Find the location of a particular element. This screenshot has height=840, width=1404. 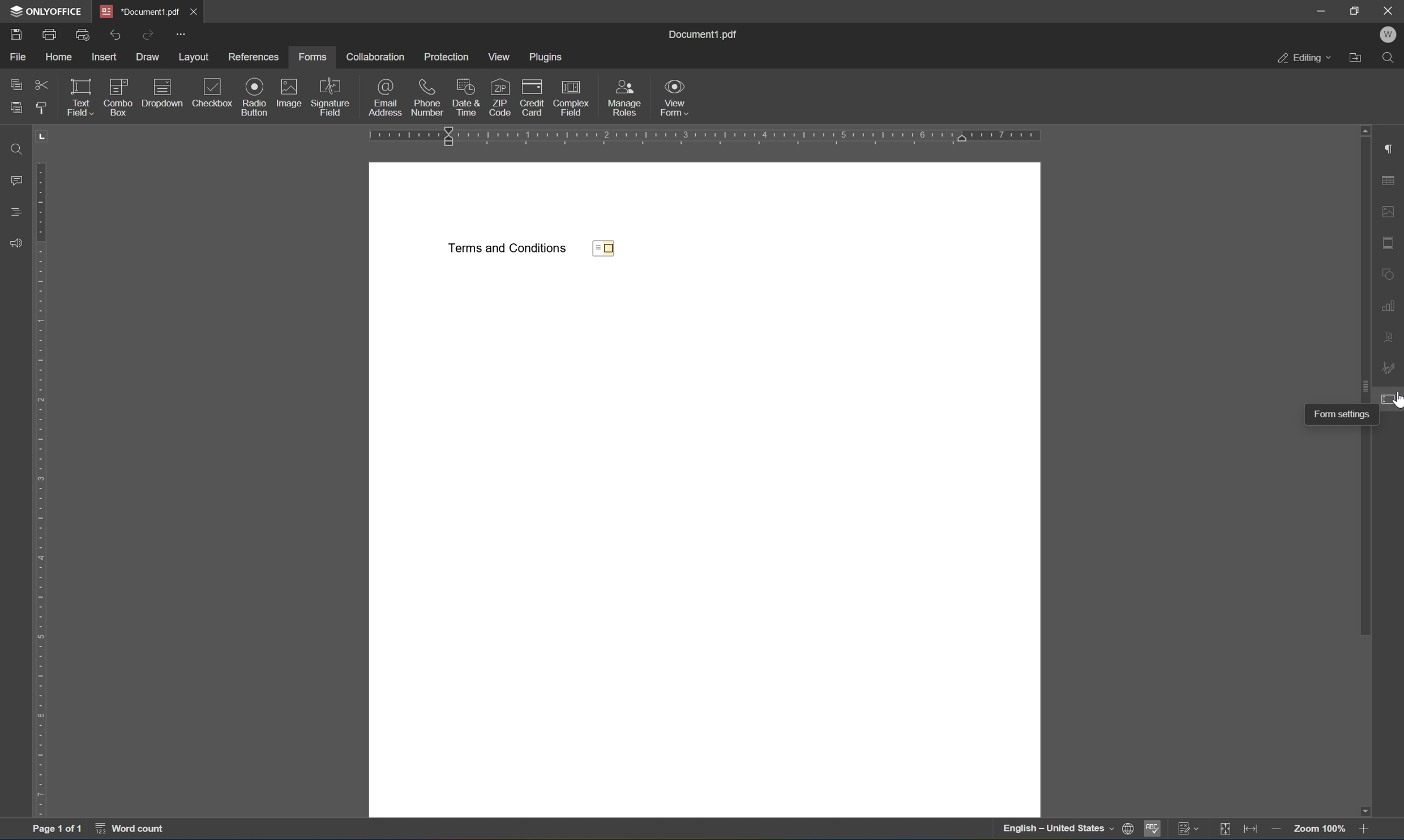

ONLYOFFICE is located at coordinates (42, 10).